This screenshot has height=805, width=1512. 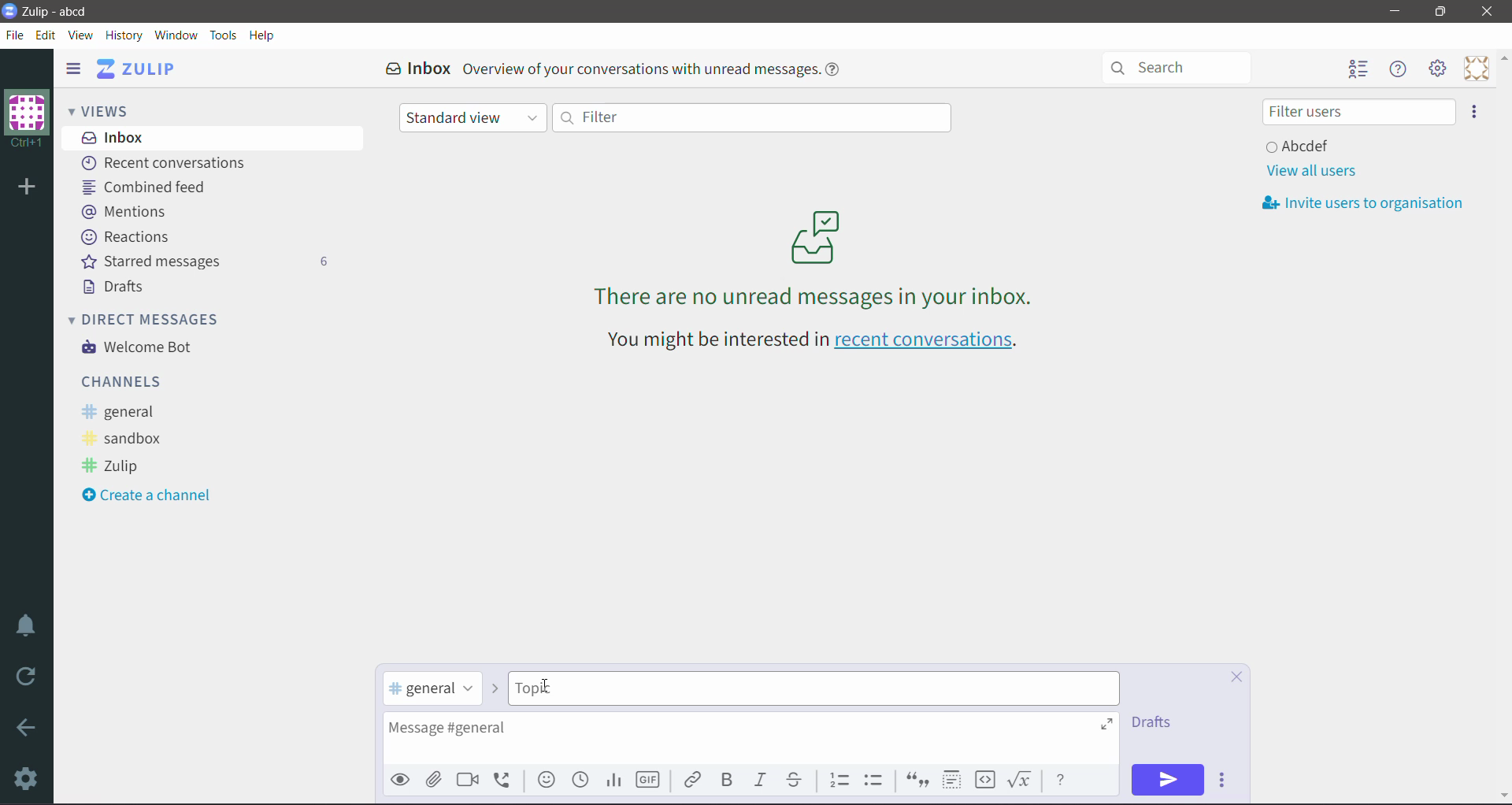 What do you see at coordinates (204, 261) in the screenshot?
I see `Starred messages` at bounding box center [204, 261].